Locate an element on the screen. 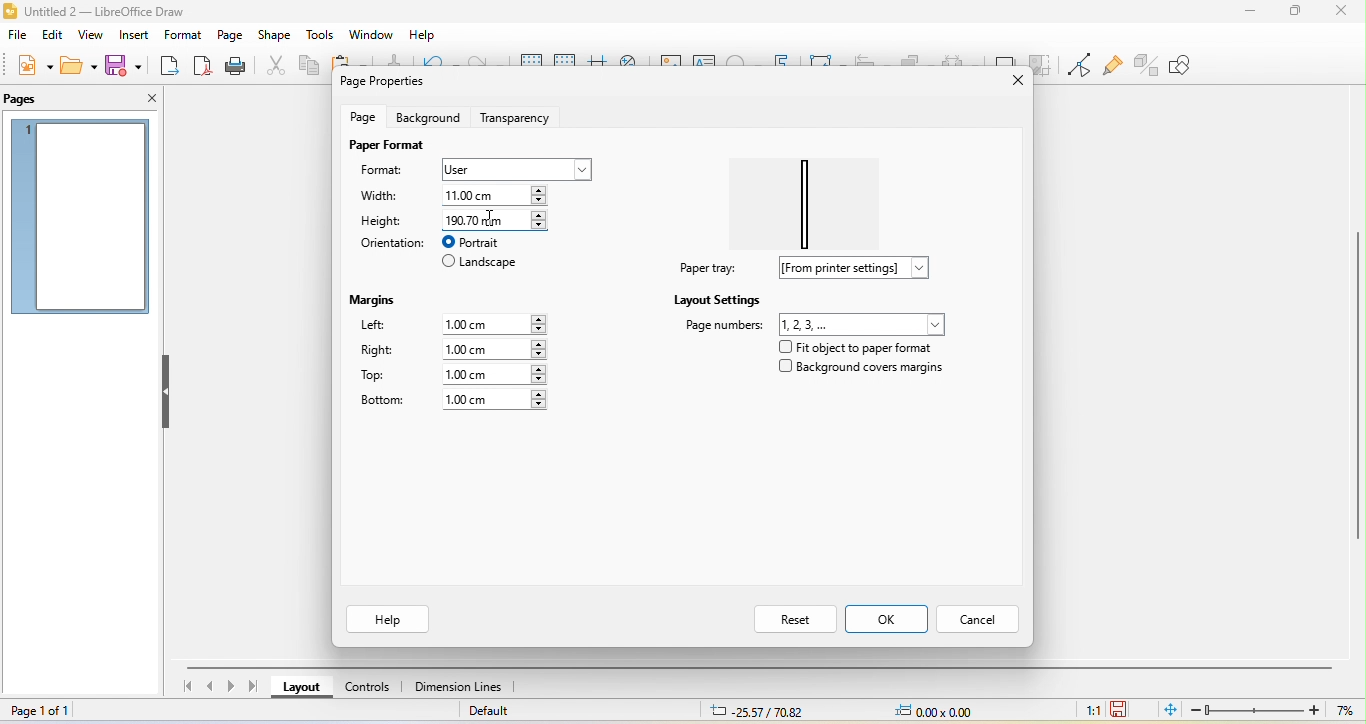 This screenshot has width=1366, height=724. layout is located at coordinates (303, 690).